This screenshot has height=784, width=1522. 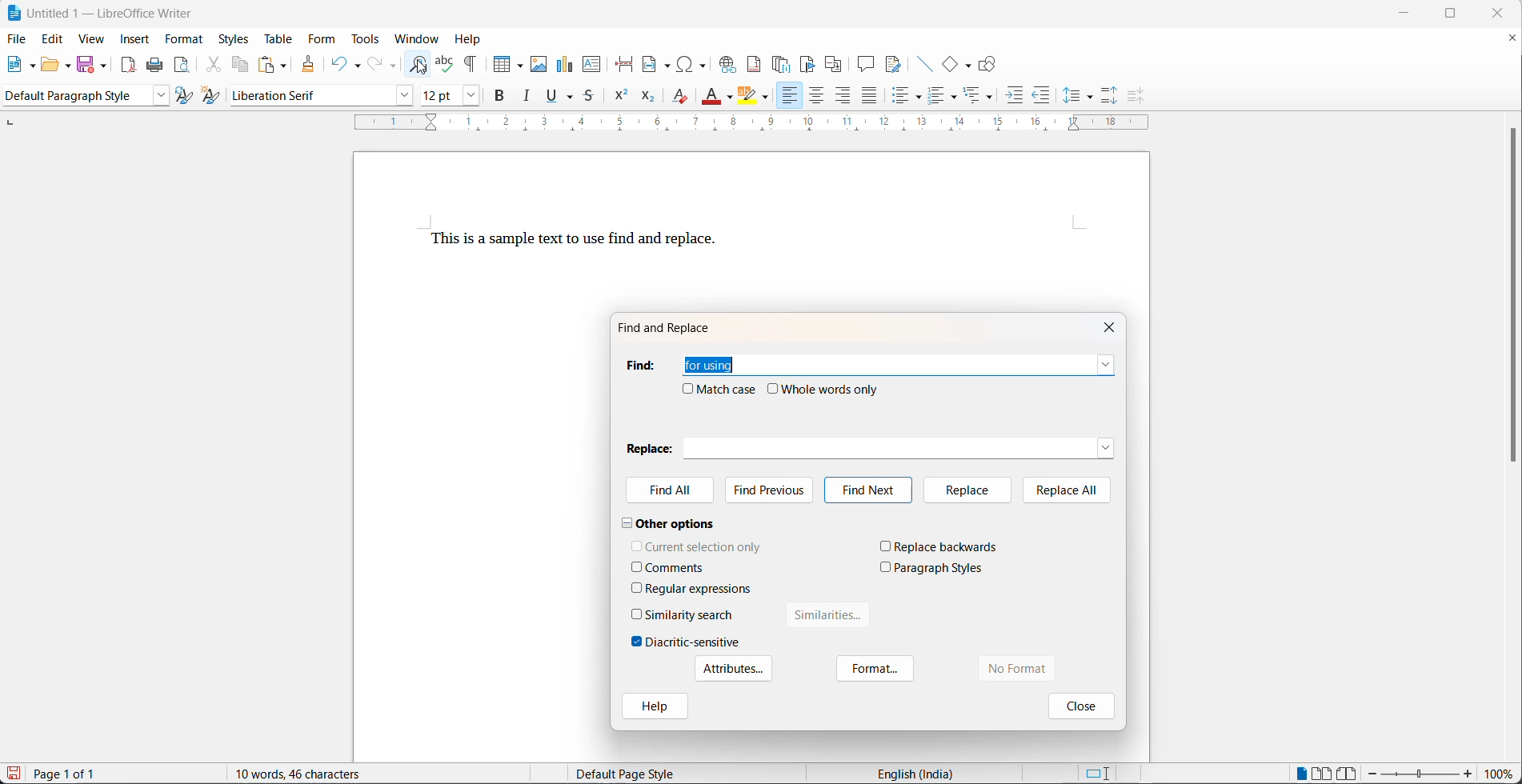 I want to click on checkbox, so click(x=637, y=545).